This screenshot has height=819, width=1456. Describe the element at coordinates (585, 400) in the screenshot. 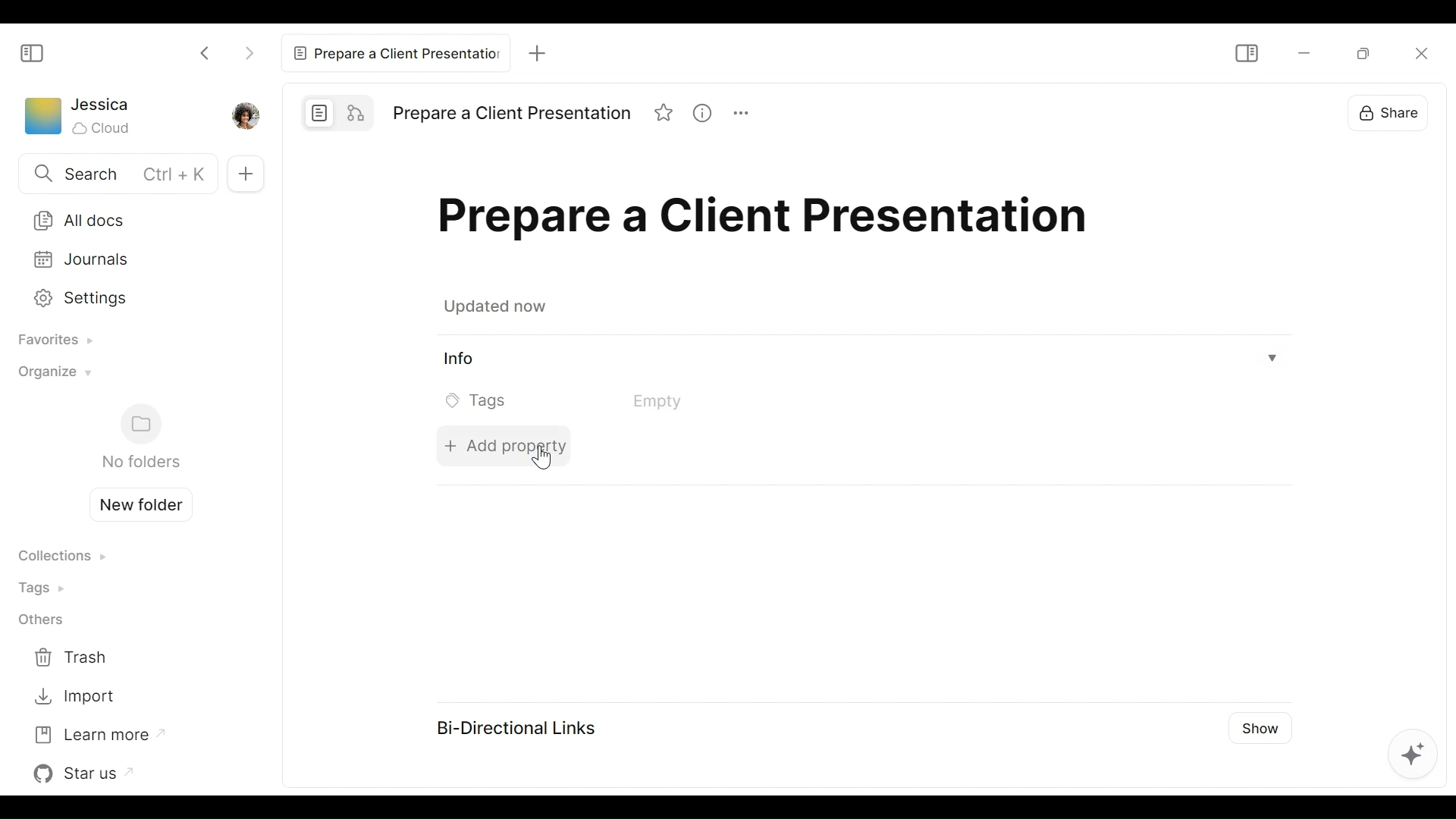

I see `Tags` at that location.